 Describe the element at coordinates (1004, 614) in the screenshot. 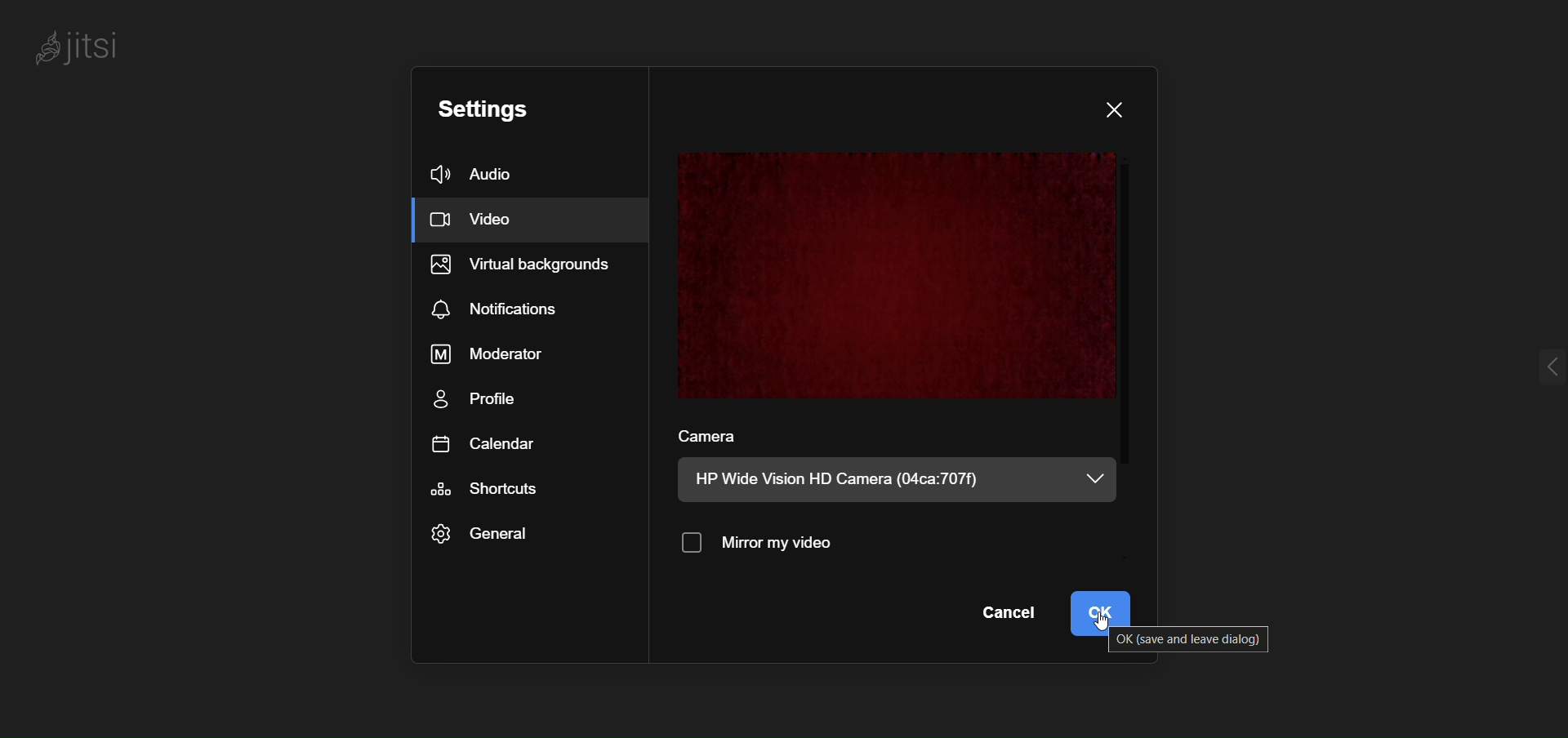

I see `cancel` at that location.